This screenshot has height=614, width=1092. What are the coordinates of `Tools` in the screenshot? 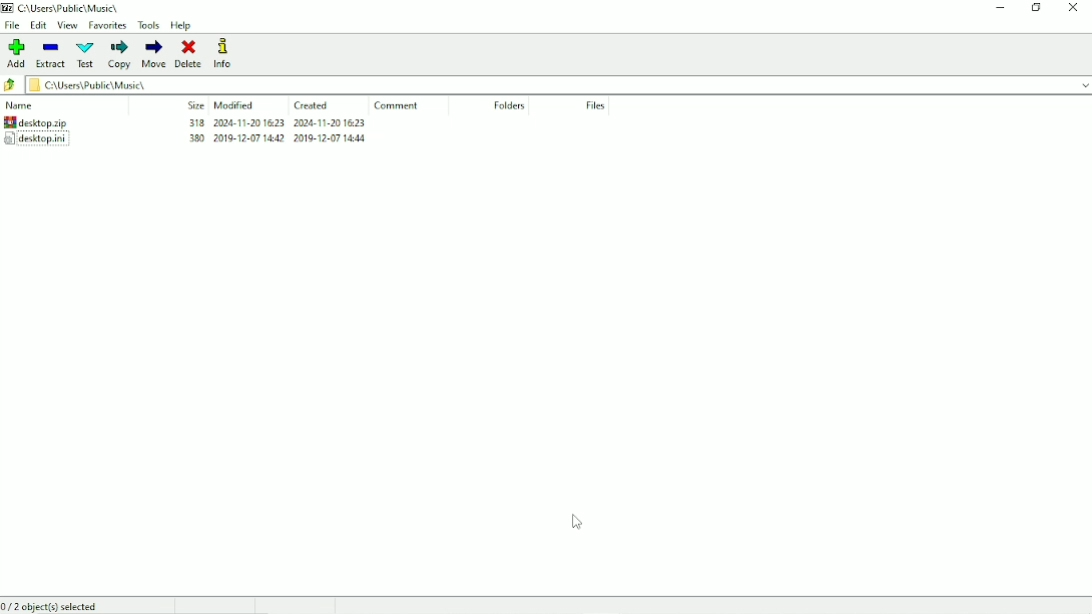 It's located at (149, 25).